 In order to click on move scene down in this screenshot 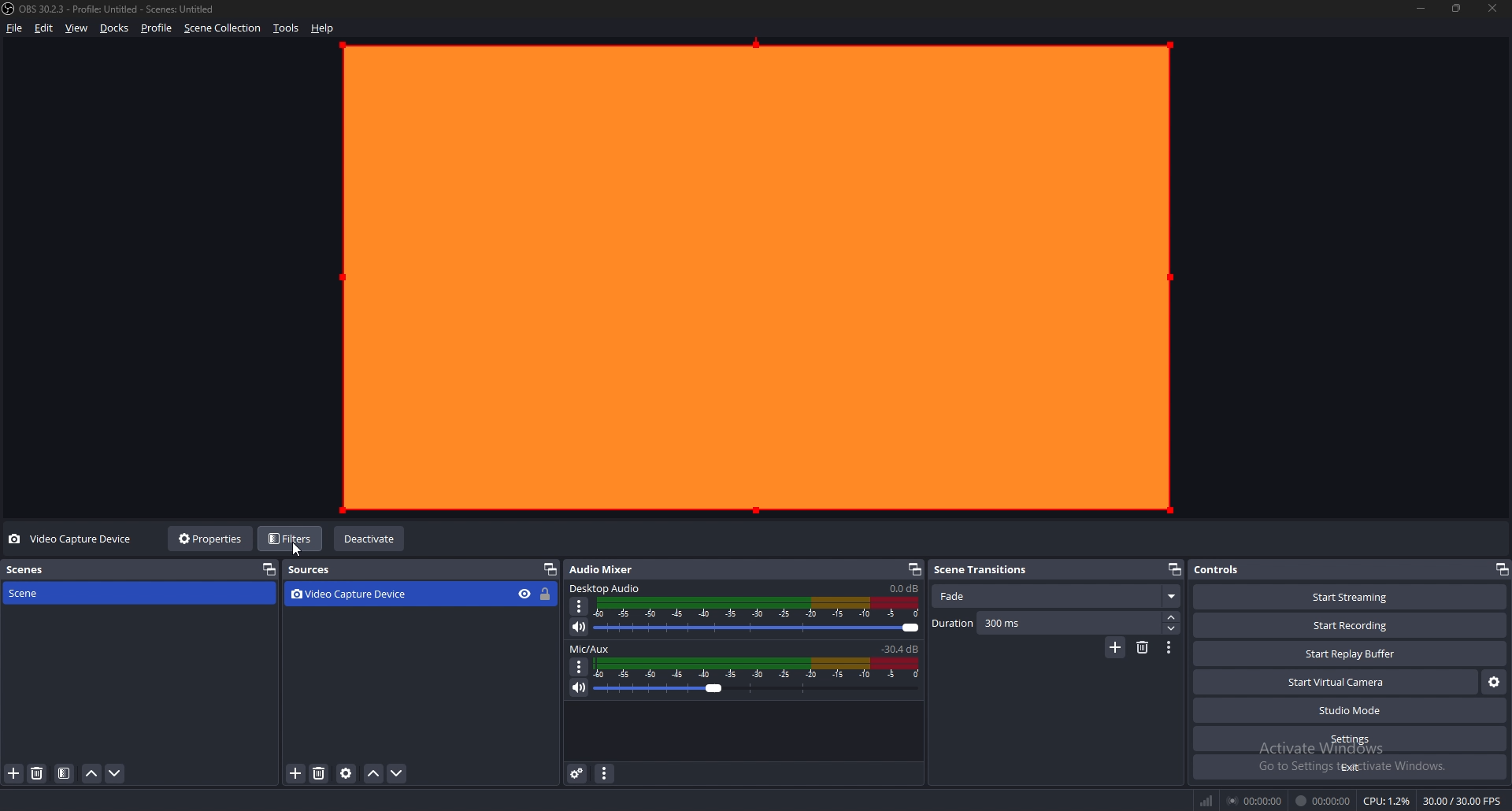, I will do `click(114, 774)`.